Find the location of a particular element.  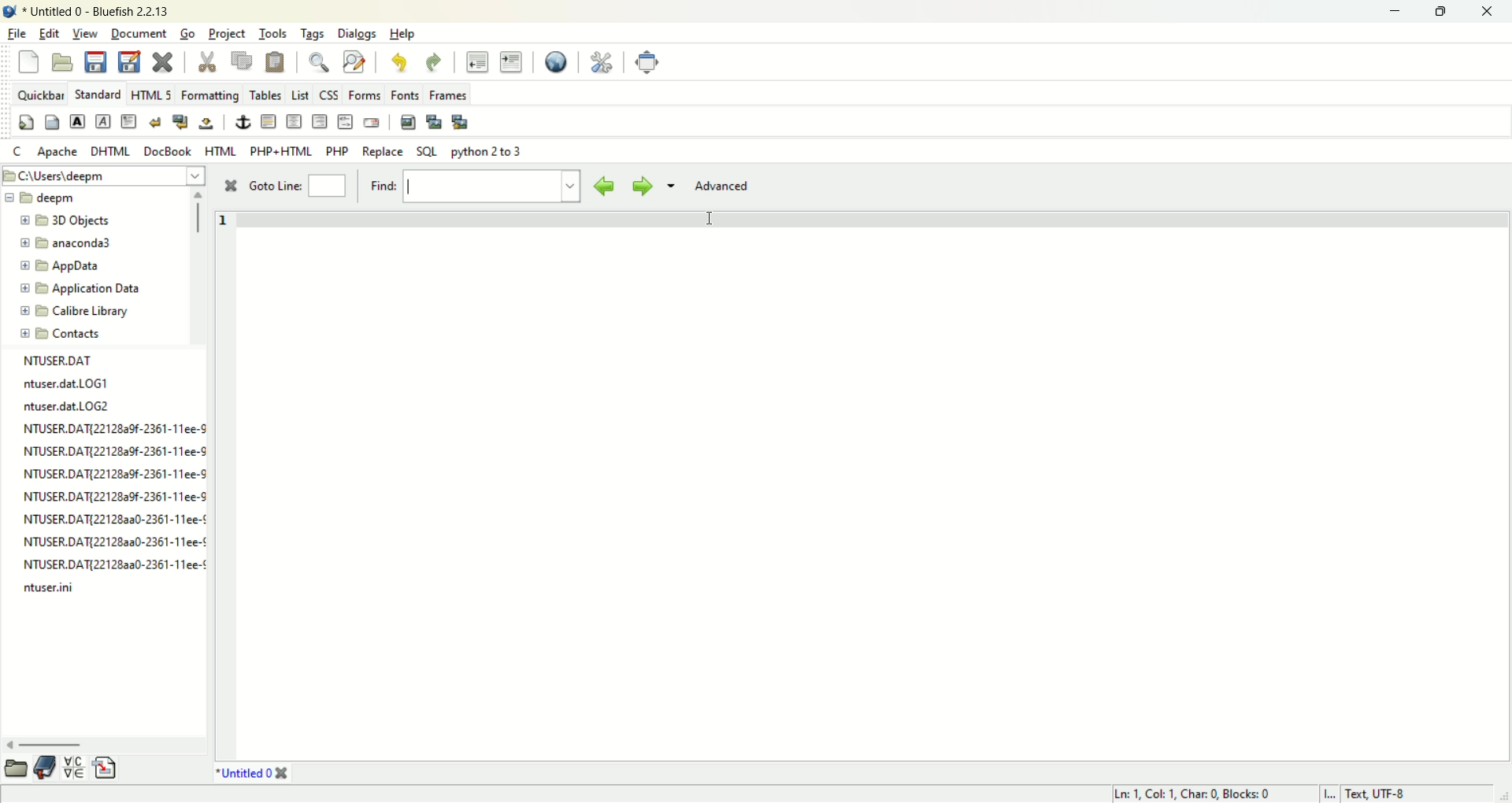

line number is located at coordinates (222, 236).